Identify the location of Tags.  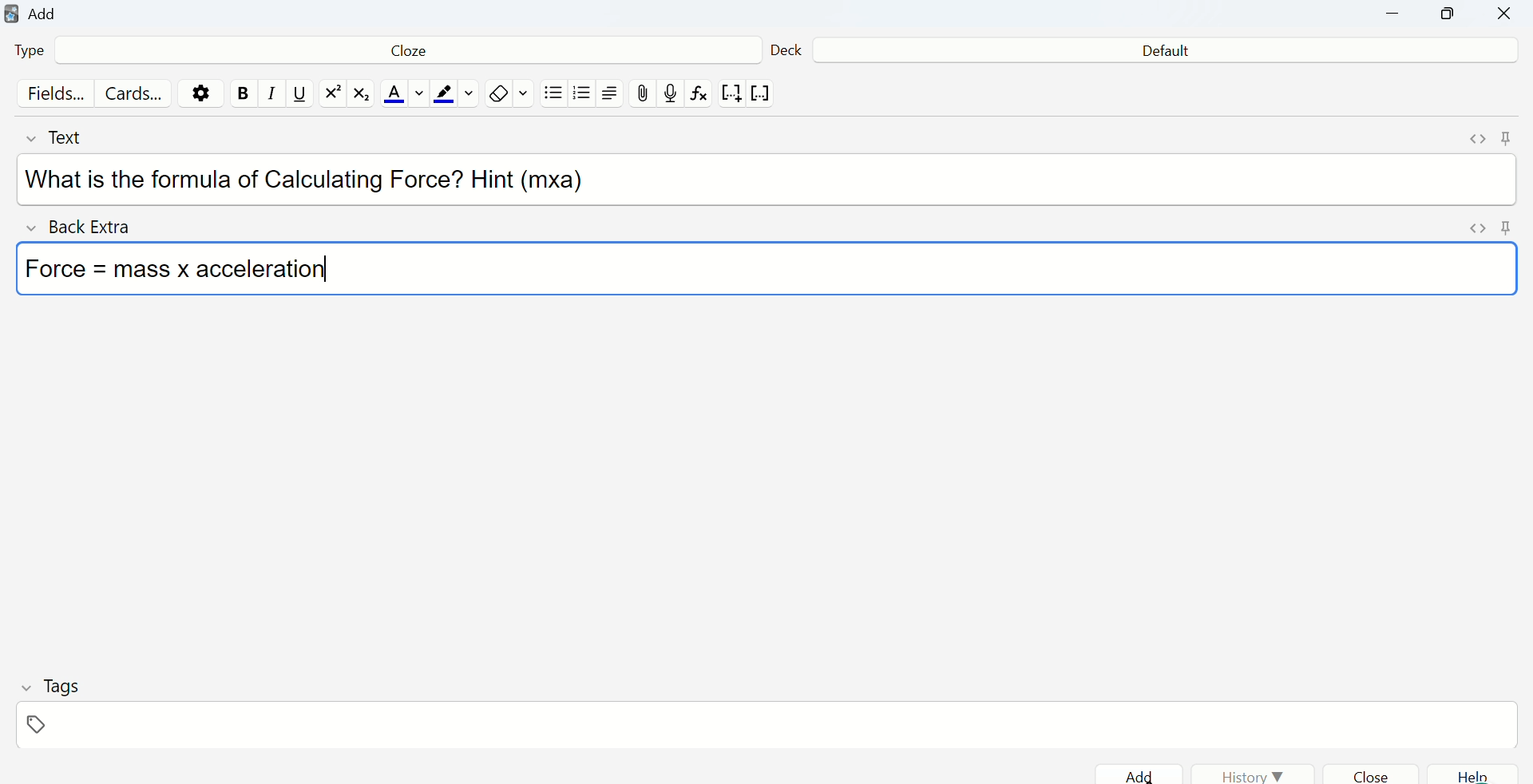
(50, 685).